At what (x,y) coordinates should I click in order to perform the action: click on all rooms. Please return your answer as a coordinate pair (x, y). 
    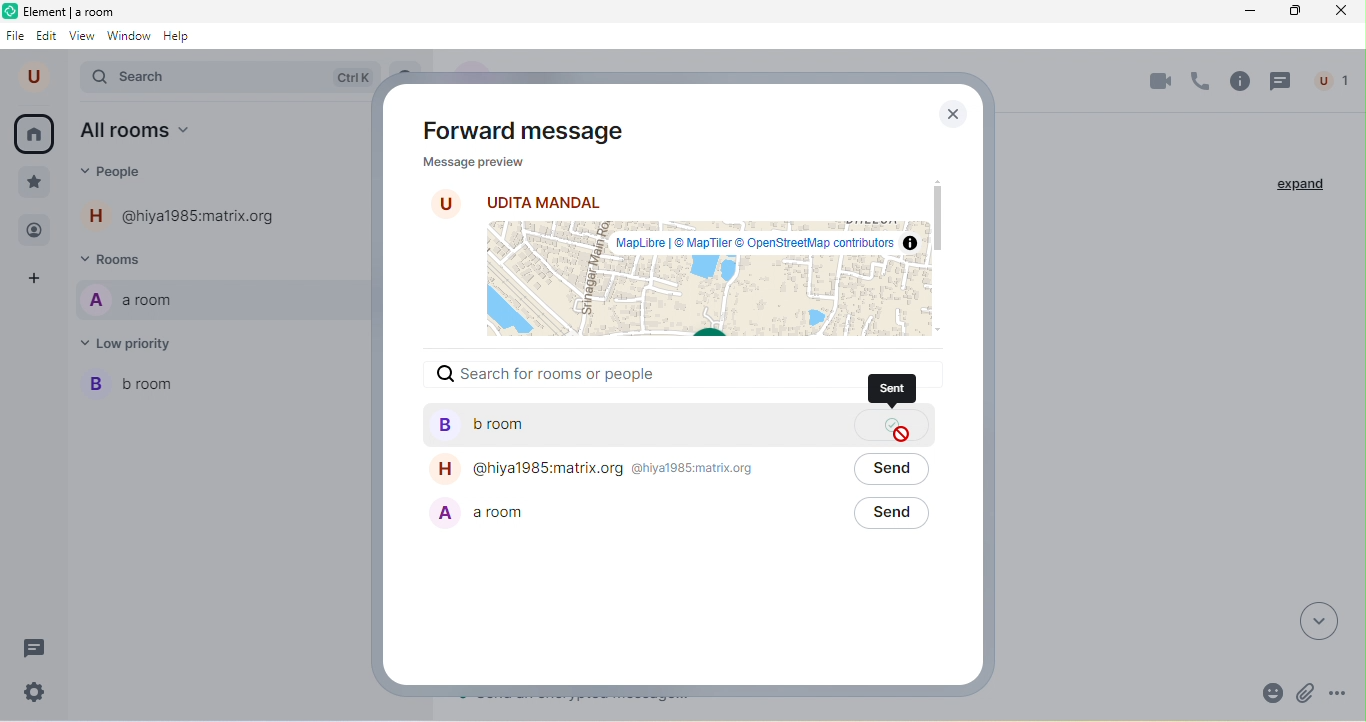
    Looking at the image, I should click on (141, 130).